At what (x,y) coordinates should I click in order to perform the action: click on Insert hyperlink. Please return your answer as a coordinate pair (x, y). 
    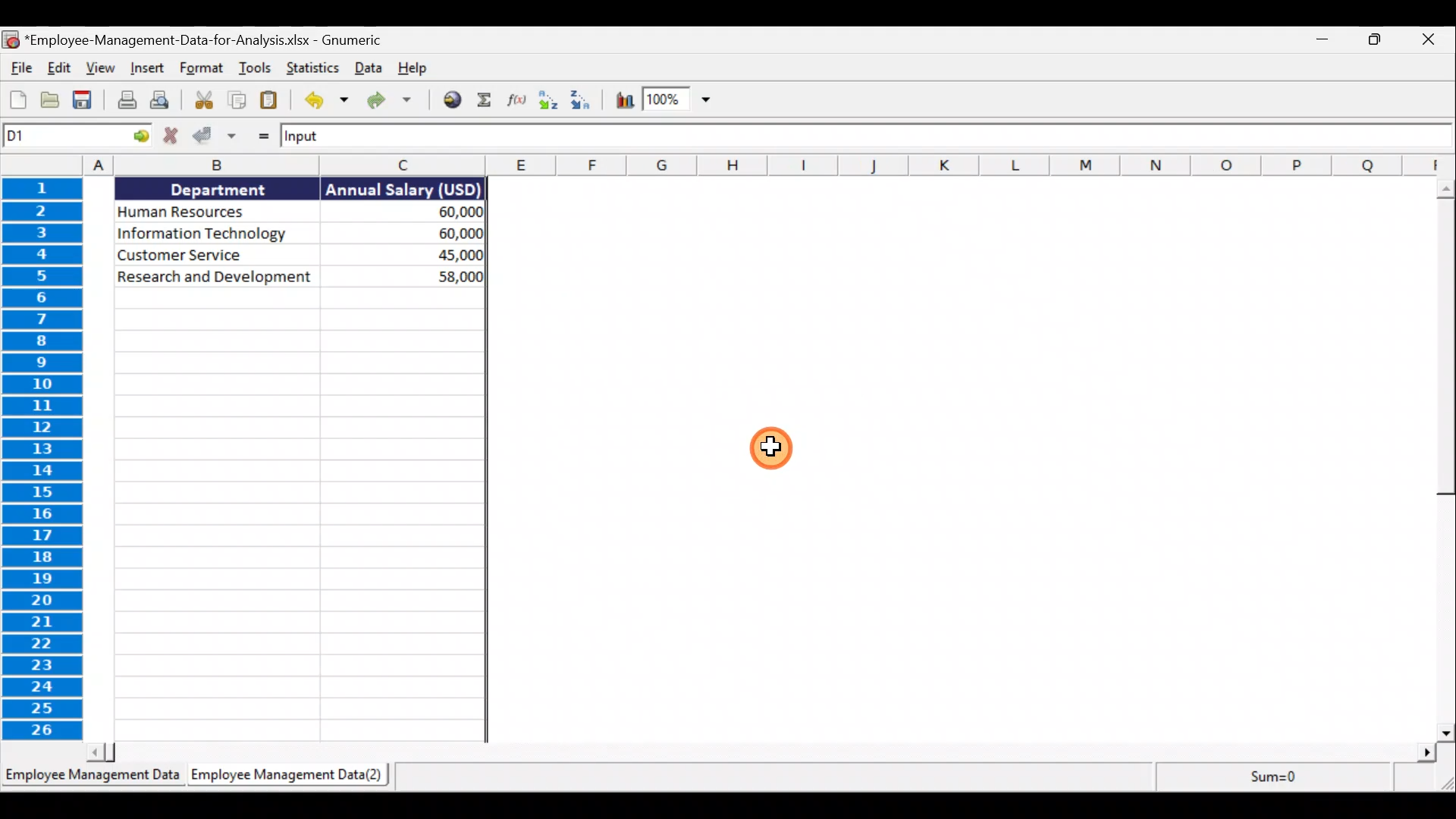
    Looking at the image, I should click on (450, 100).